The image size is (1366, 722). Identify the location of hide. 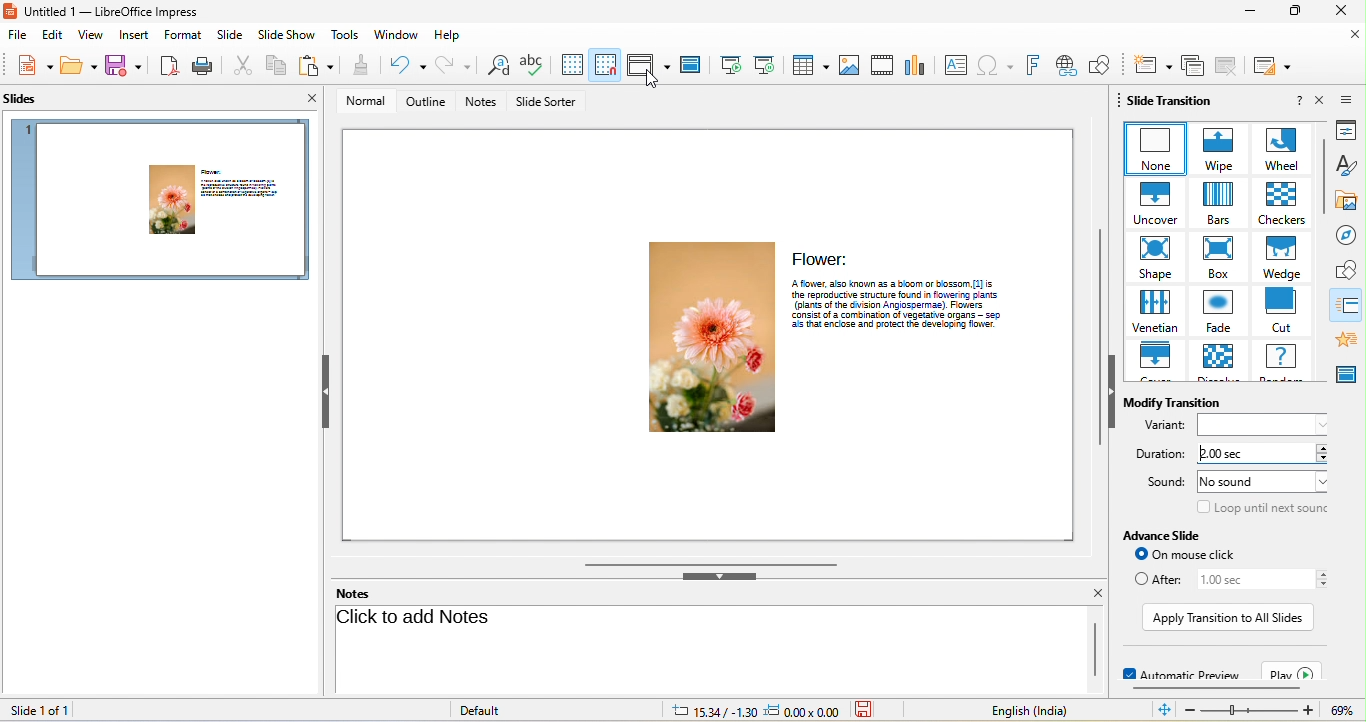
(717, 577).